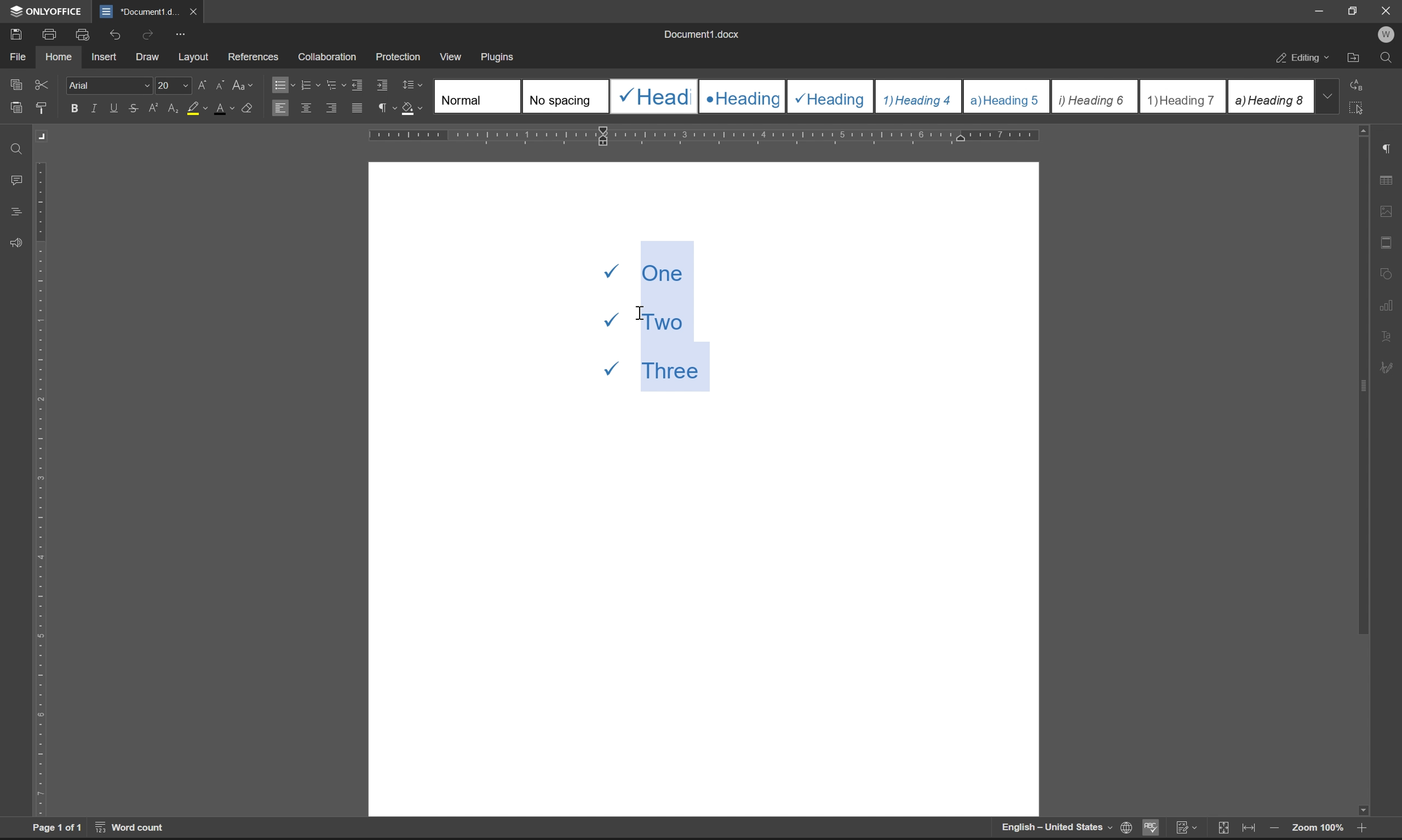 The image size is (1402, 840). I want to click on spell checking, so click(1150, 827).